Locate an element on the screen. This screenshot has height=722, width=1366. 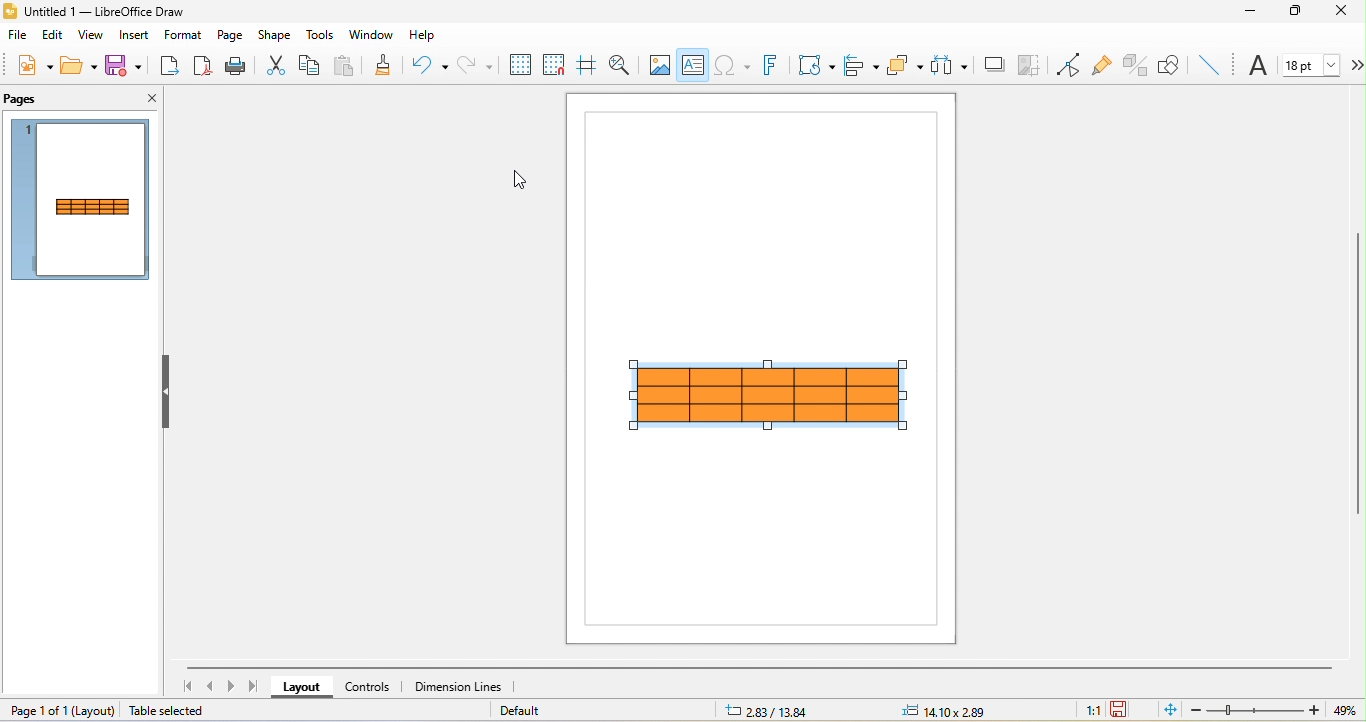
image is located at coordinates (659, 65).